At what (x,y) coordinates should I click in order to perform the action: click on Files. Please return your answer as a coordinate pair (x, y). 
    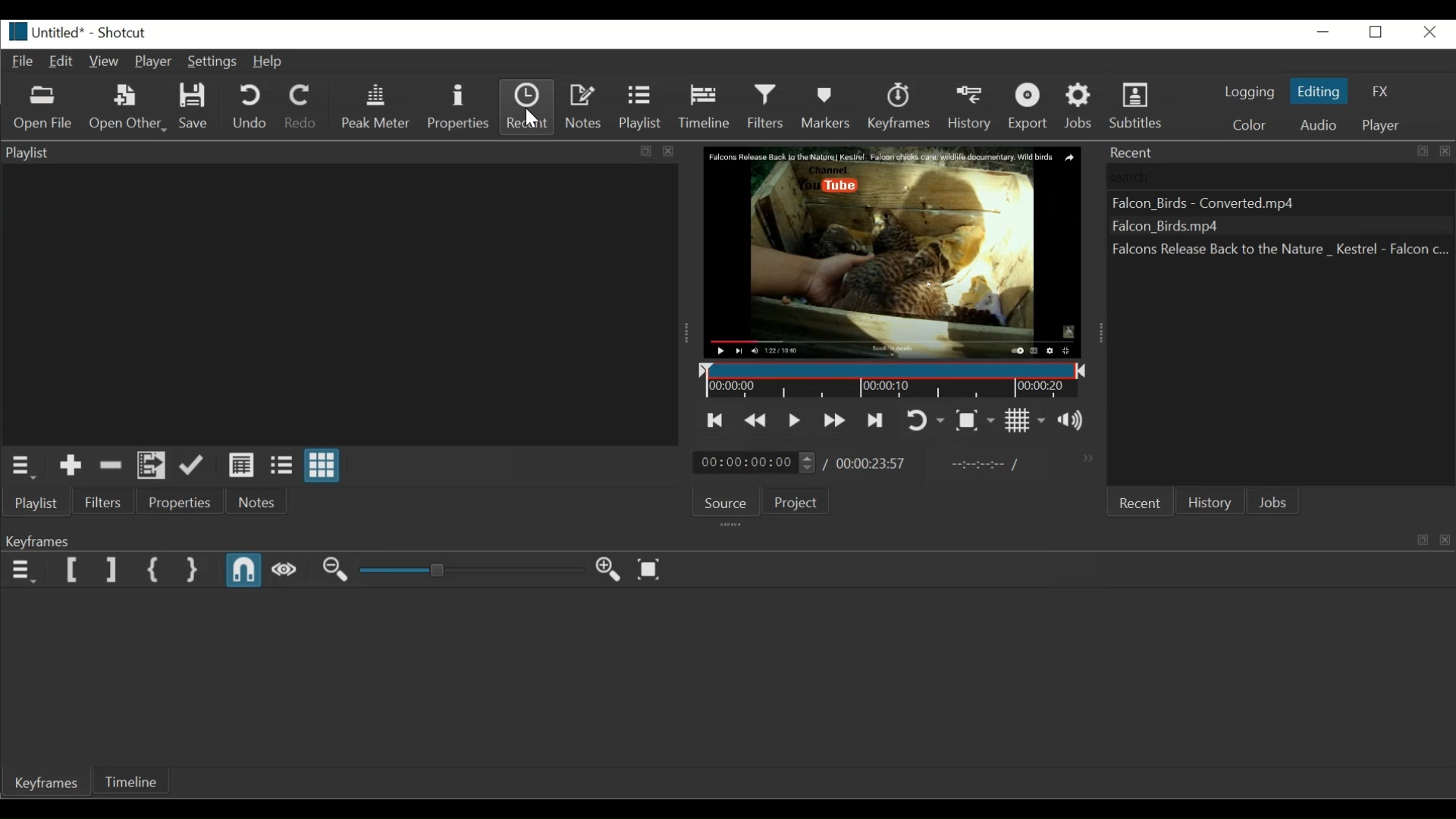
    Looking at the image, I should click on (102, 502).